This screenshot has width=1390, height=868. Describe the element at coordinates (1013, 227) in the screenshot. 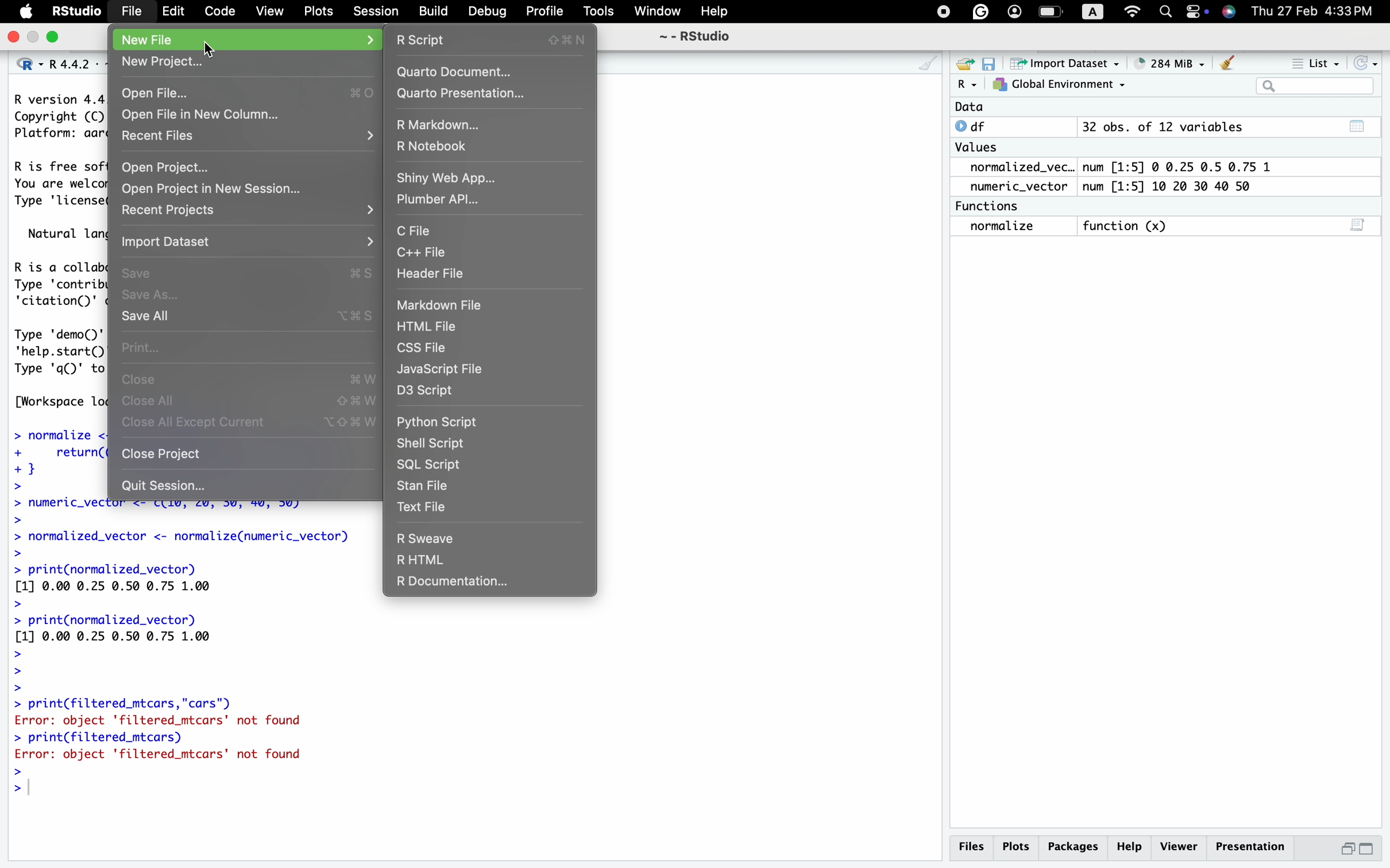

I see `normalize` at that location.